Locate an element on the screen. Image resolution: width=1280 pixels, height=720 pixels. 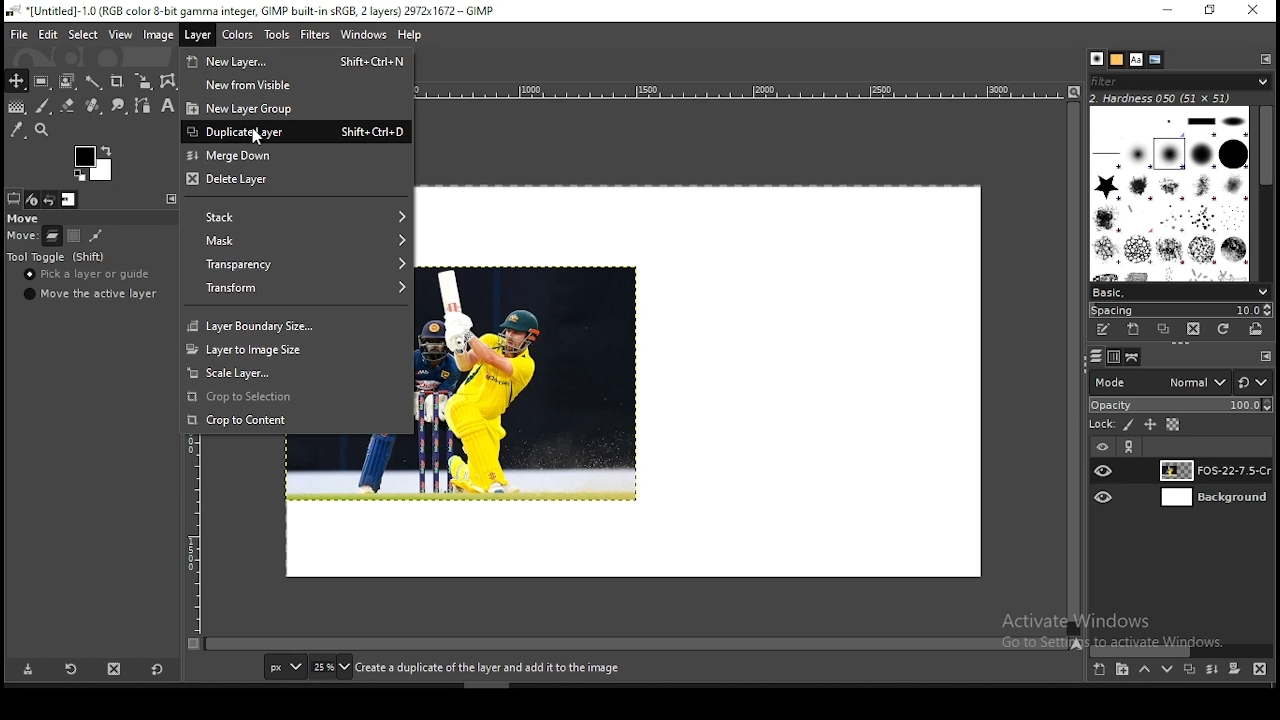
file is located at coordinates (19, 33).